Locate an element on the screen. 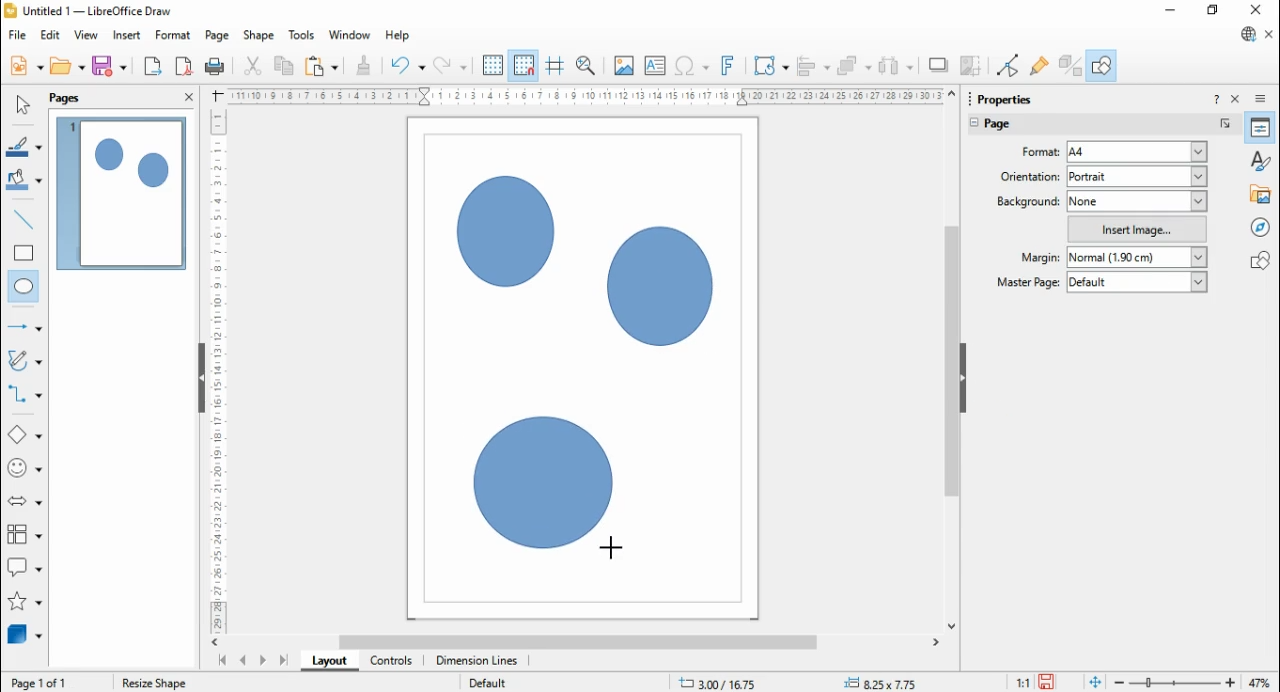 The image size is (1280, 692). view is located at coordinates (86, 35).